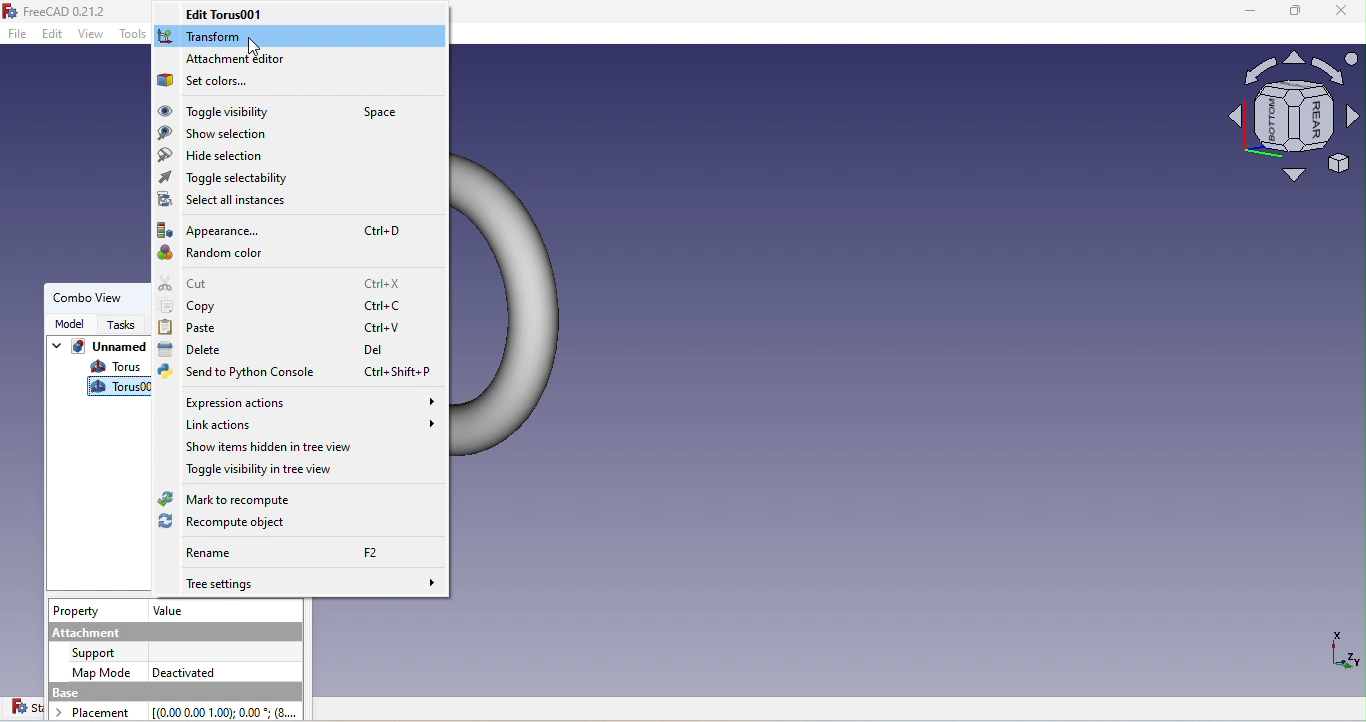 The height and width of the screenshot is (722, 1366). Describe the element at coordinates (121, 386) in the screenshot. I see `Copied object` at that location.